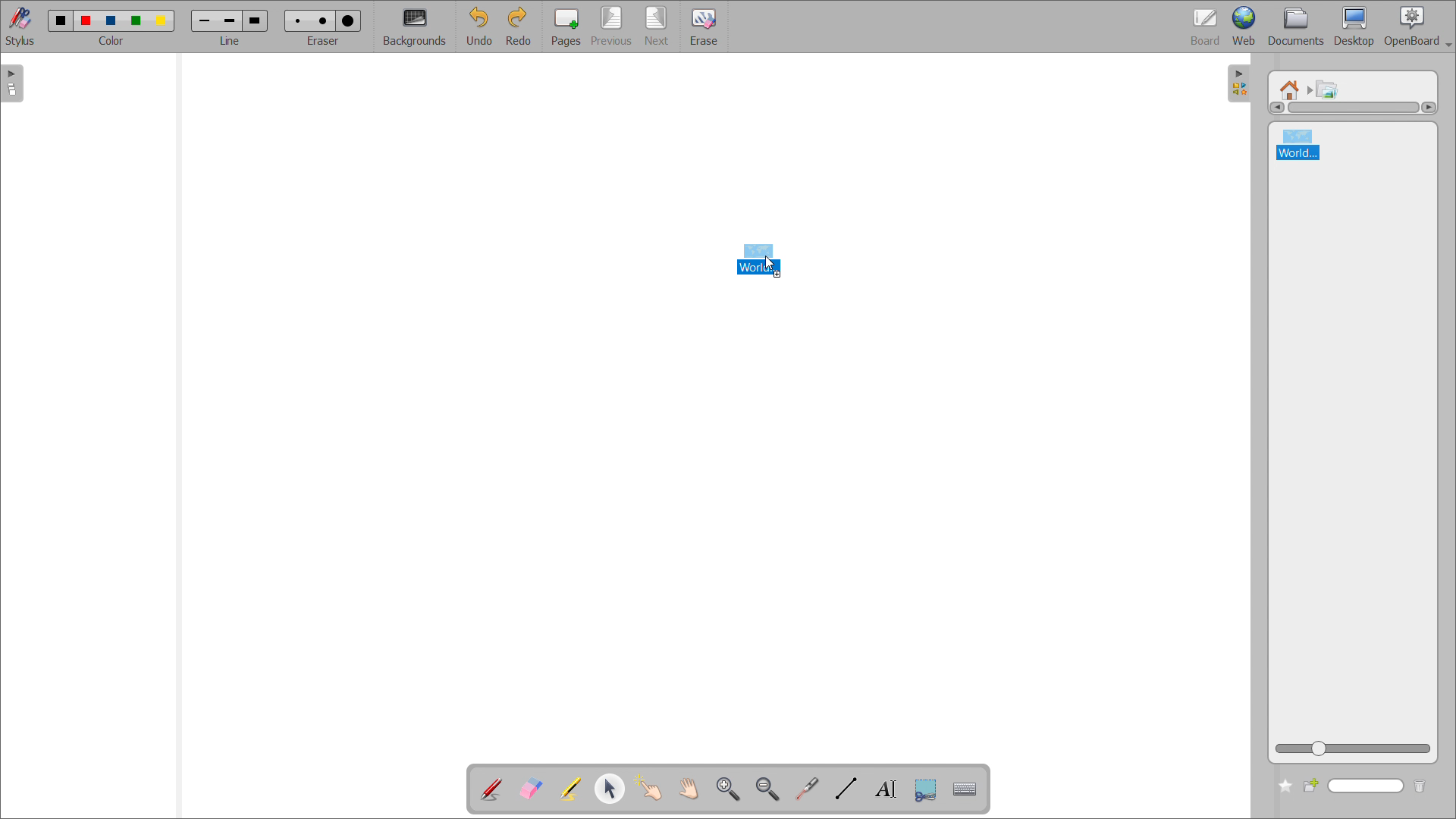 This screenshot has height=819, width=1456. I want to click on write text, so click(886, 789).